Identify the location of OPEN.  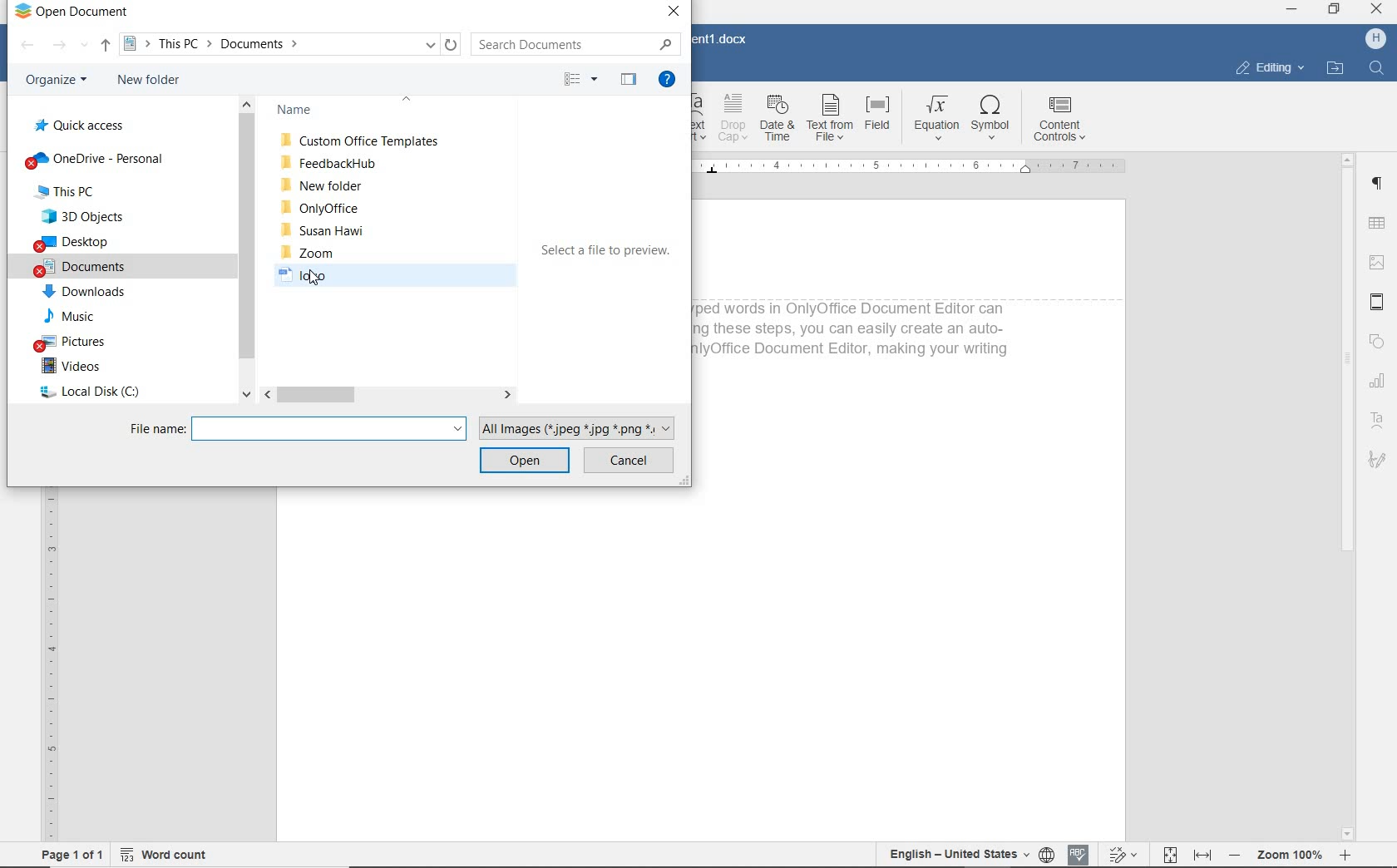
(526, 462).